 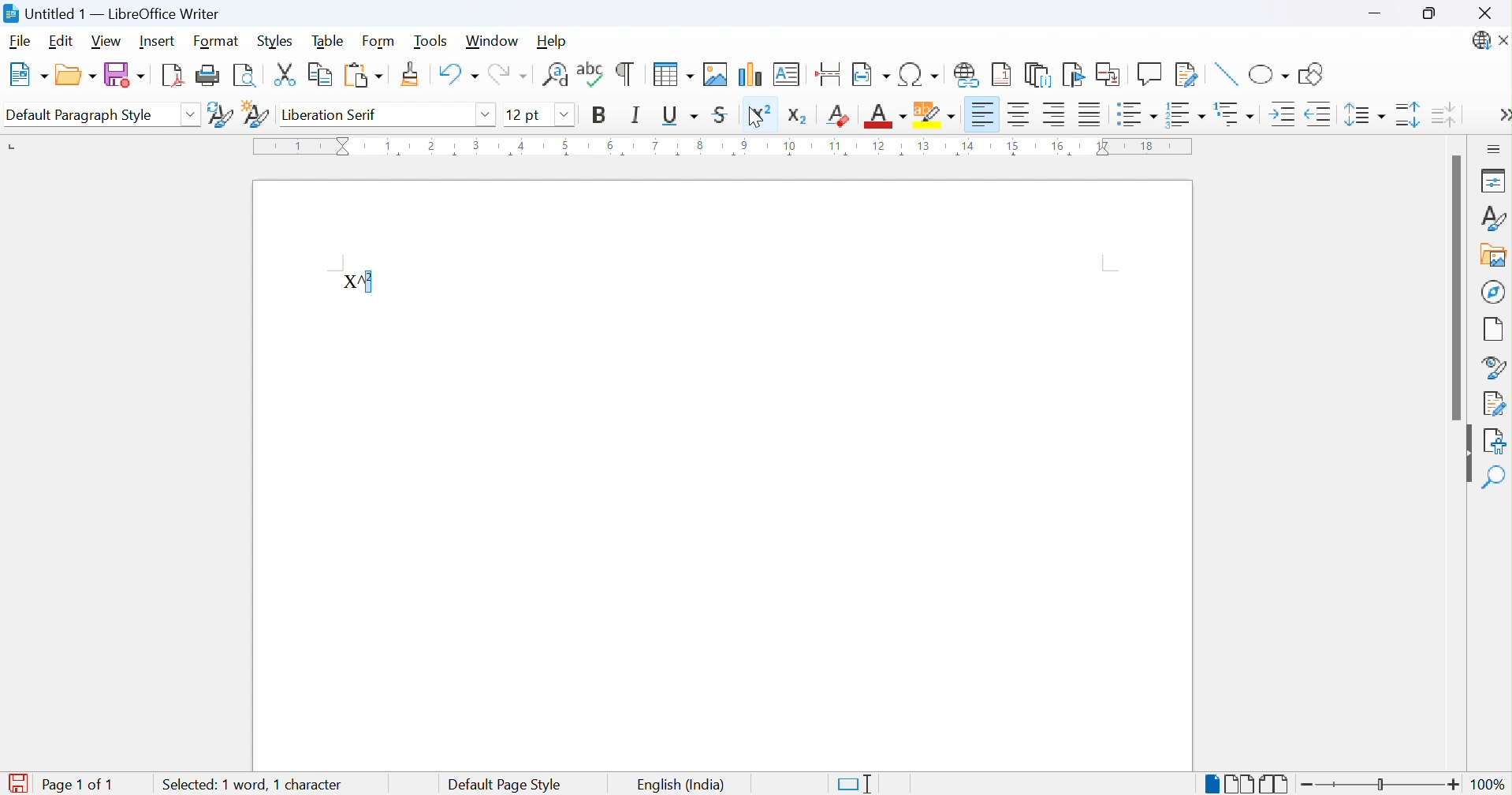 I want to click on Bold, so click(x=602, y=115).